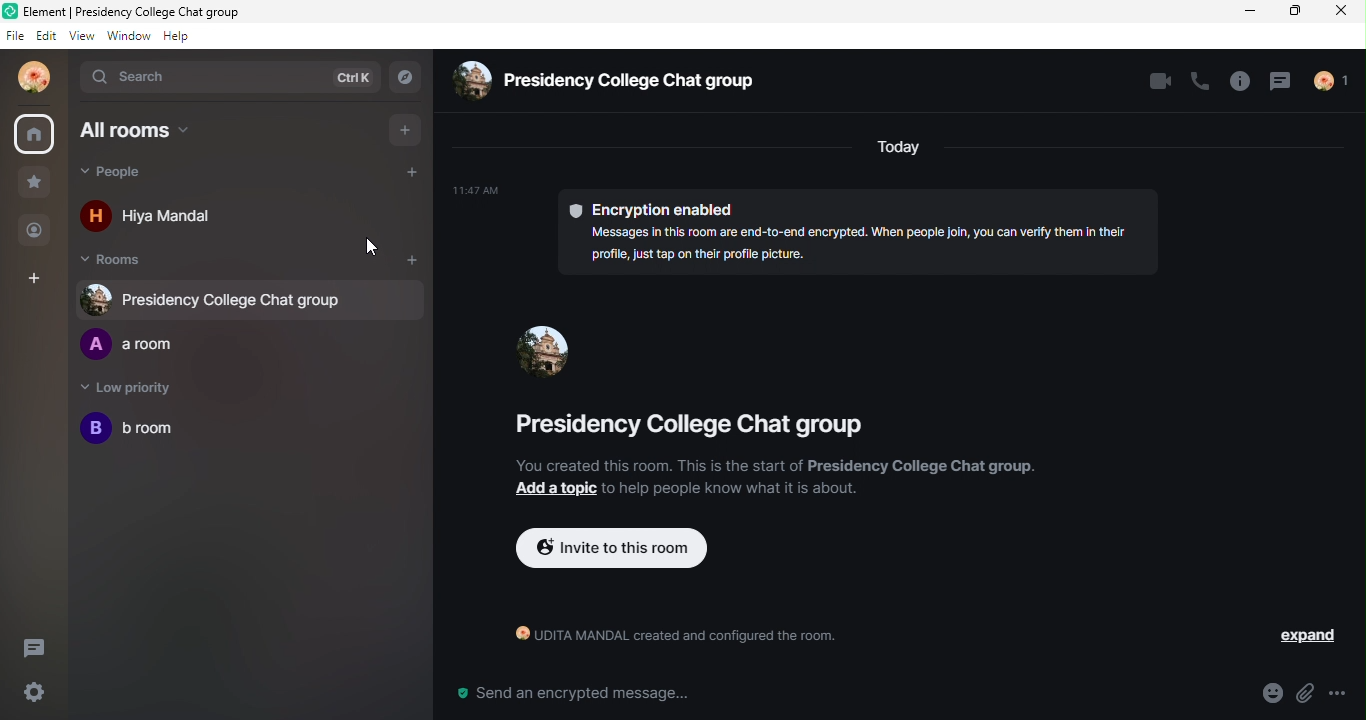  What do you see at coordinates (899, 149) in the screenshot?
I see `today` at bounding box center [899, 149].